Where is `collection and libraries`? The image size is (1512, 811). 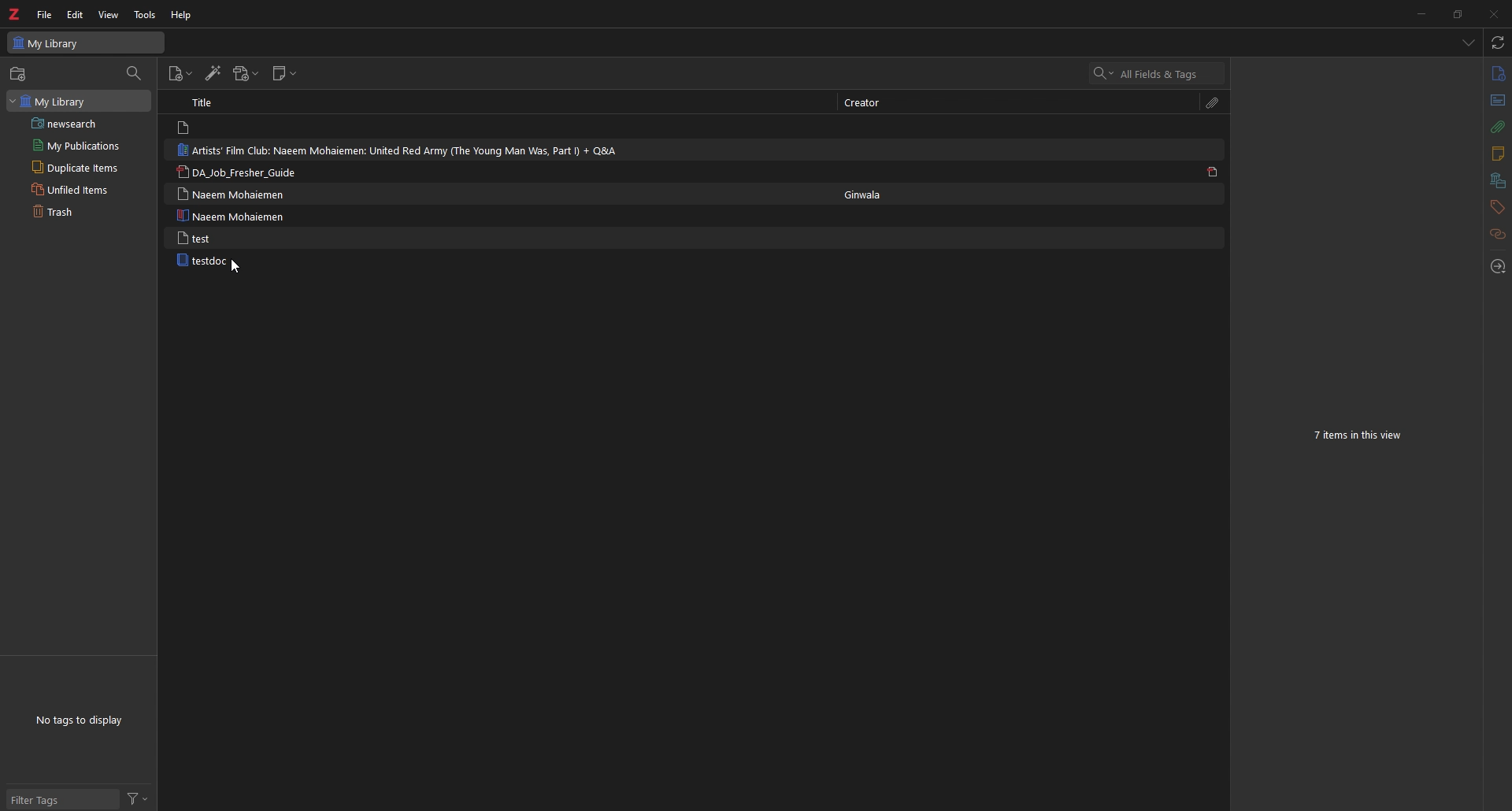
collection and libraries is located at coordinates (1496, 182).